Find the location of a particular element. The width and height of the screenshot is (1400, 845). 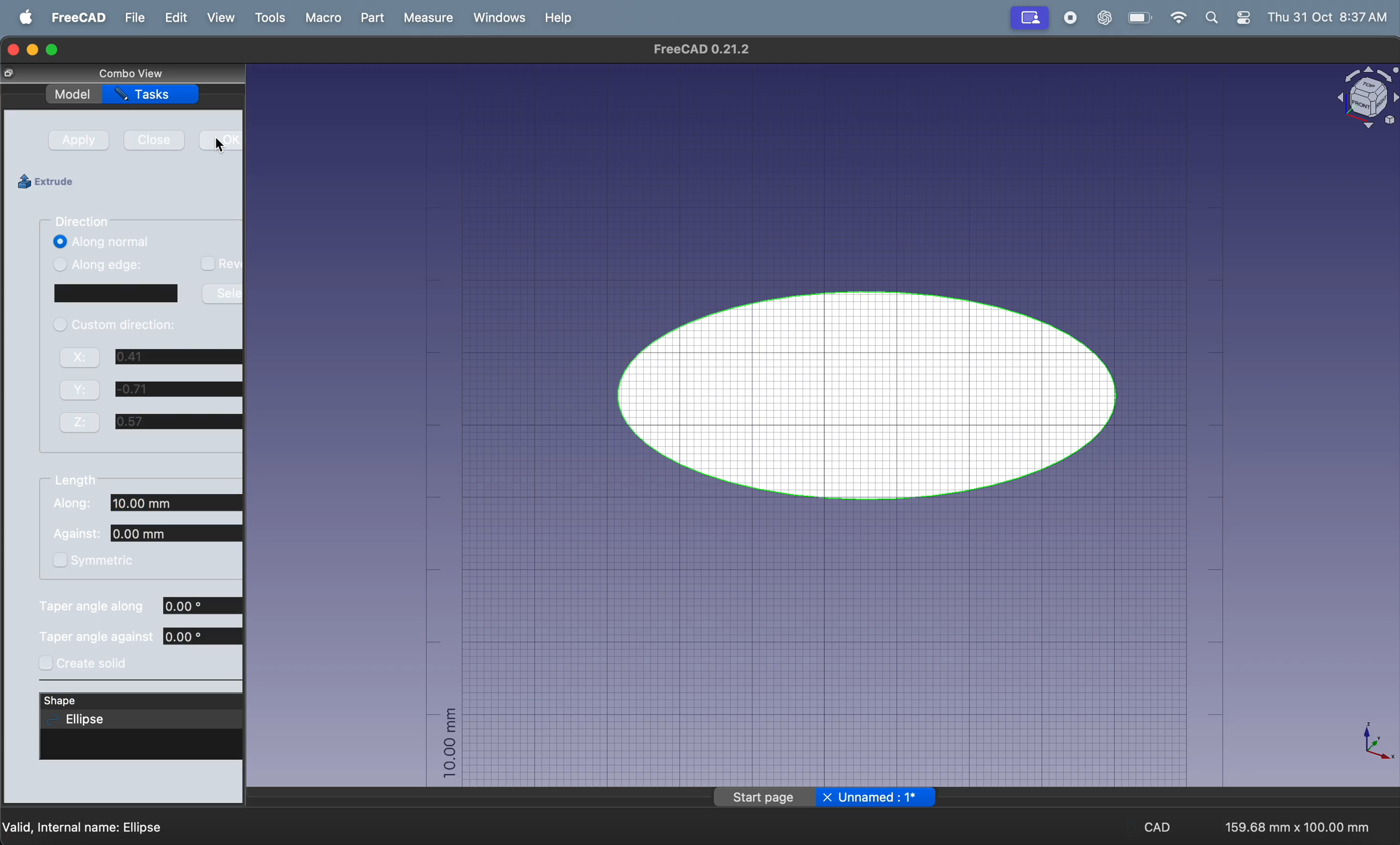

tasks is located at coordinates (157, 96).